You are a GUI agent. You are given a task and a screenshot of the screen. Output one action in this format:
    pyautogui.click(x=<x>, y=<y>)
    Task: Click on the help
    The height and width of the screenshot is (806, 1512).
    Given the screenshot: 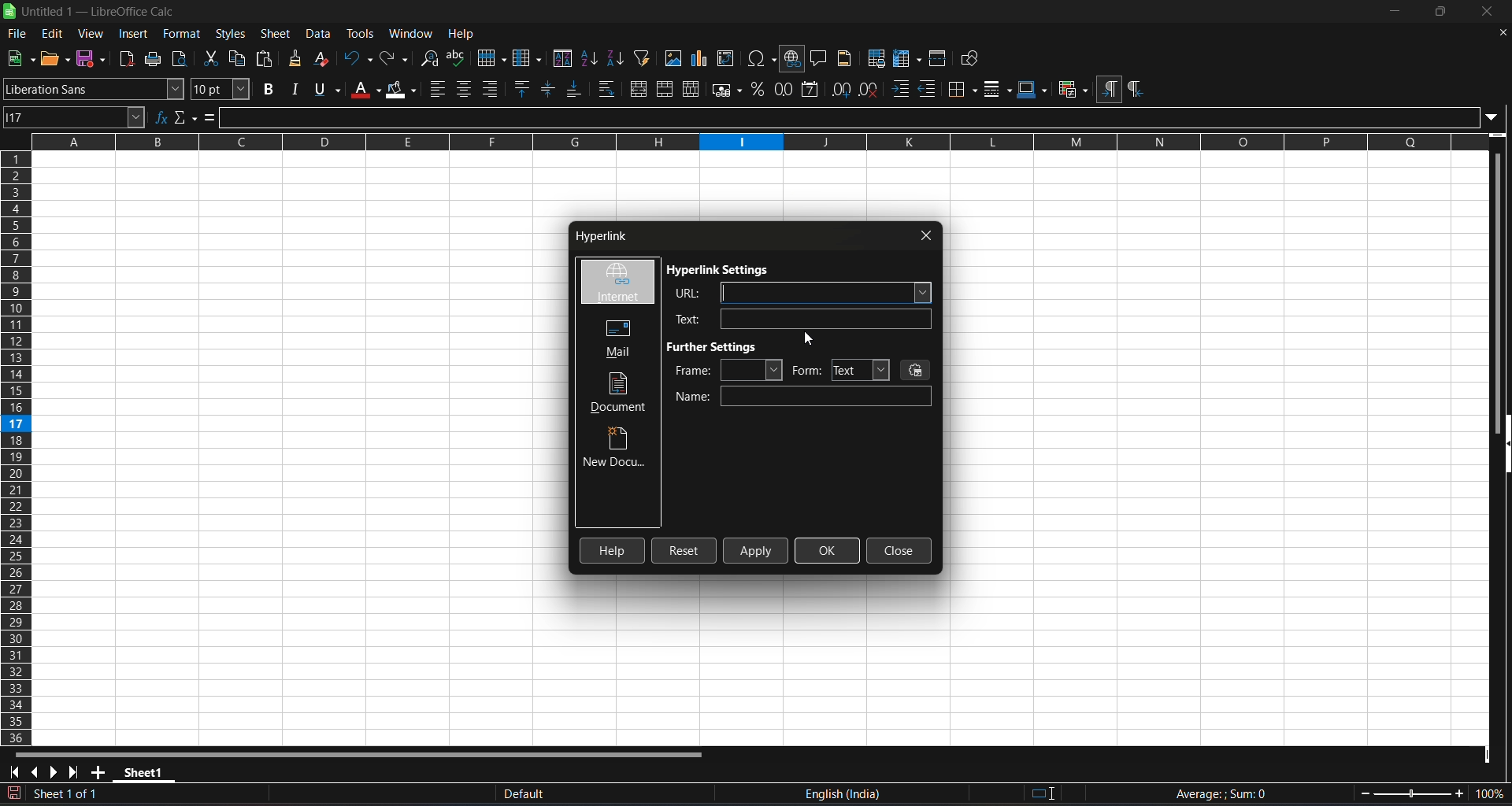 What is the action you would take?
    pyautogui.click(x=461, y=32)
    